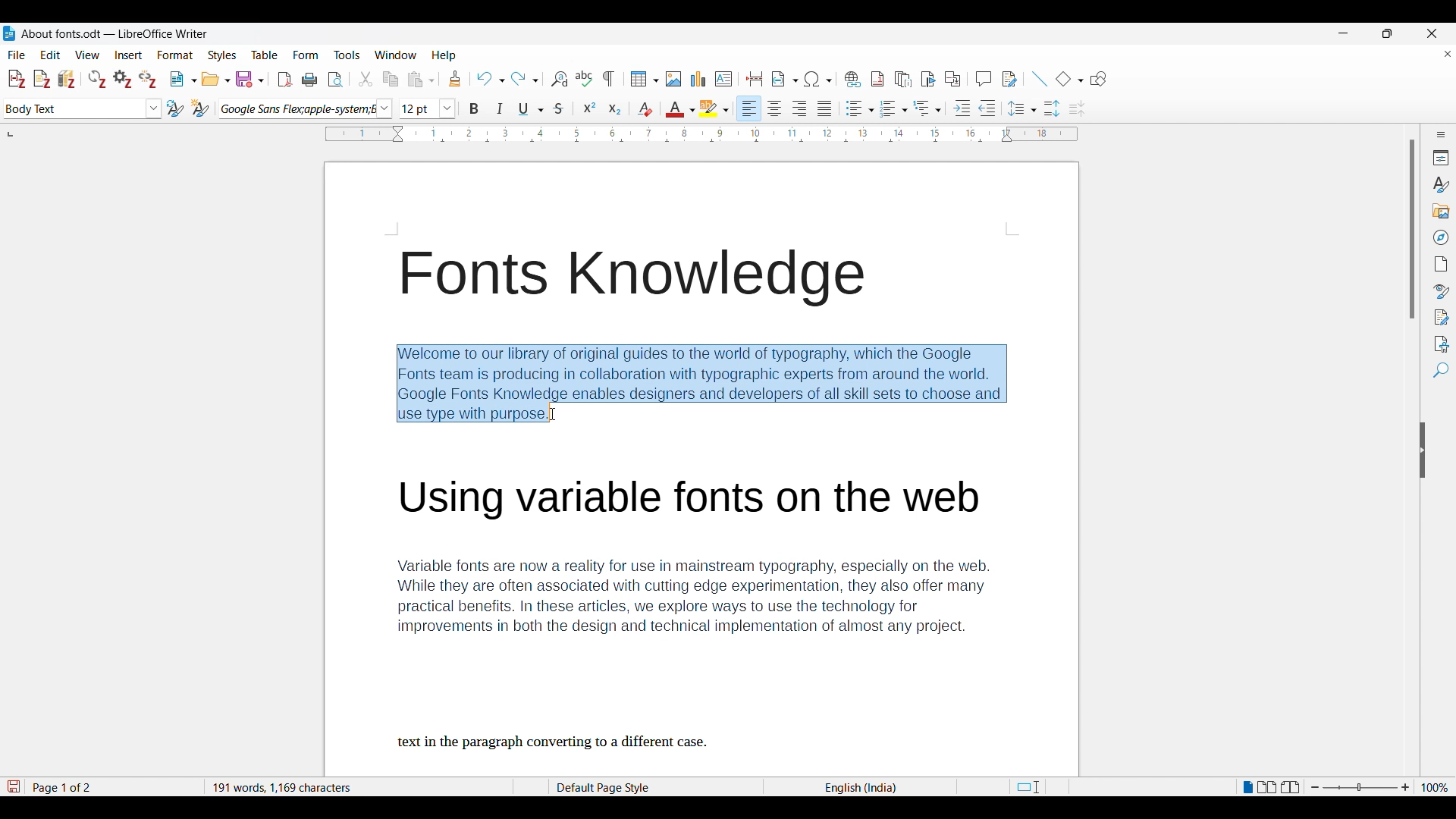 The image size is (1456, 819). I want to click on File menu, so click(17, 55).